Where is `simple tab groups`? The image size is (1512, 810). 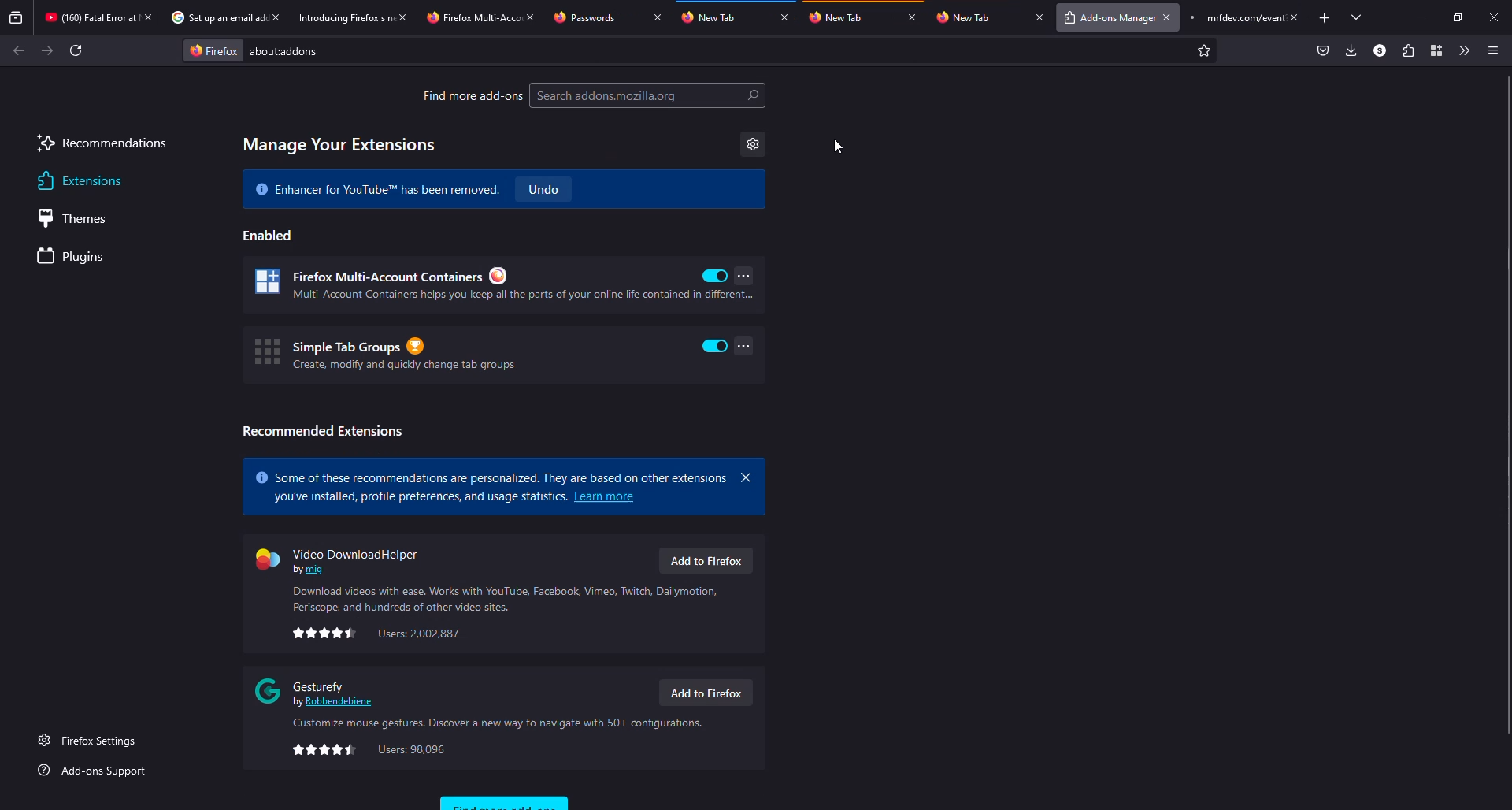 simple tab groups is located at coordinates (469, 353).